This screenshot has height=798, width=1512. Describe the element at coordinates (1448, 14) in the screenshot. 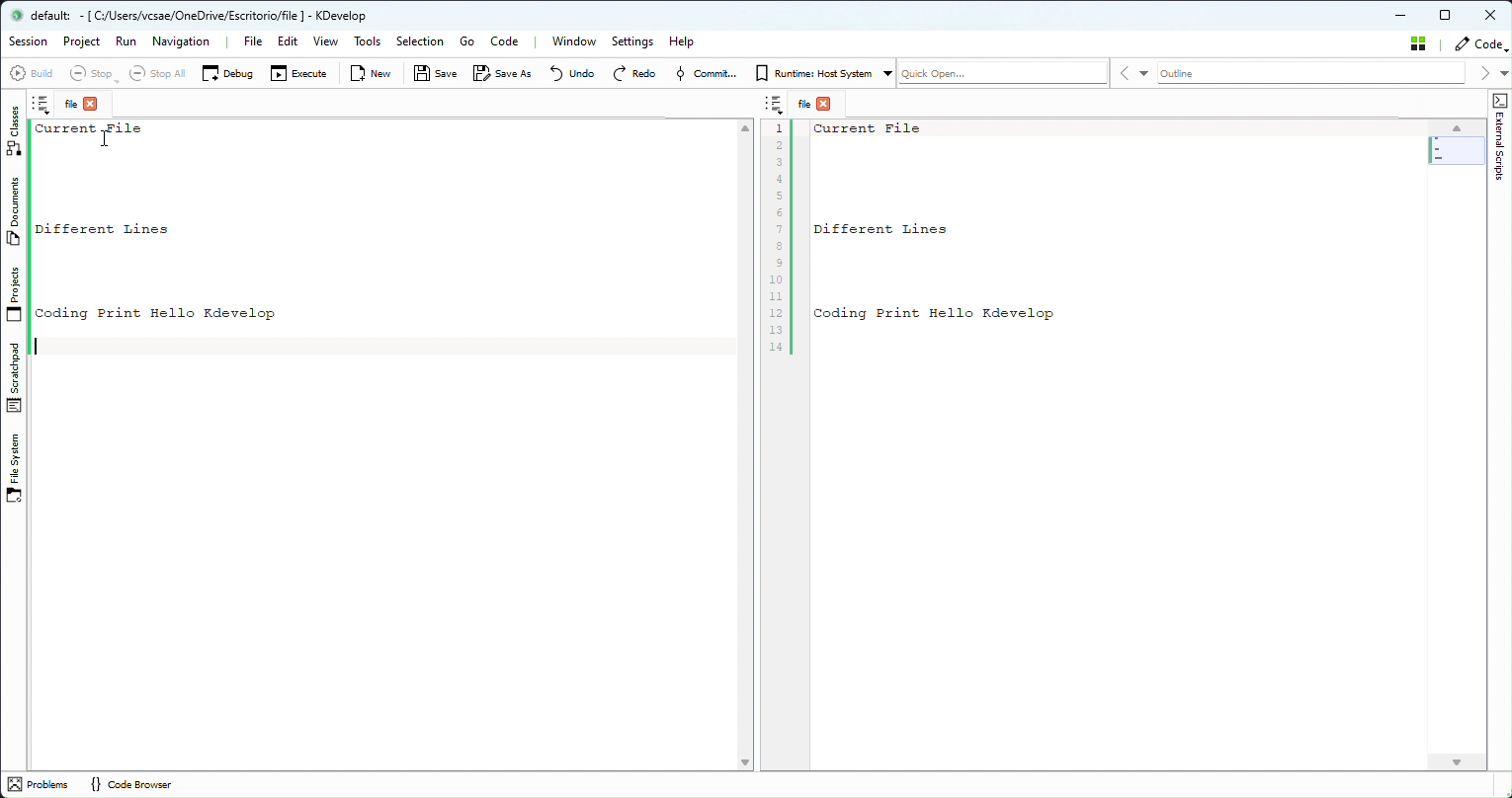

I see `Maximize` at that location.